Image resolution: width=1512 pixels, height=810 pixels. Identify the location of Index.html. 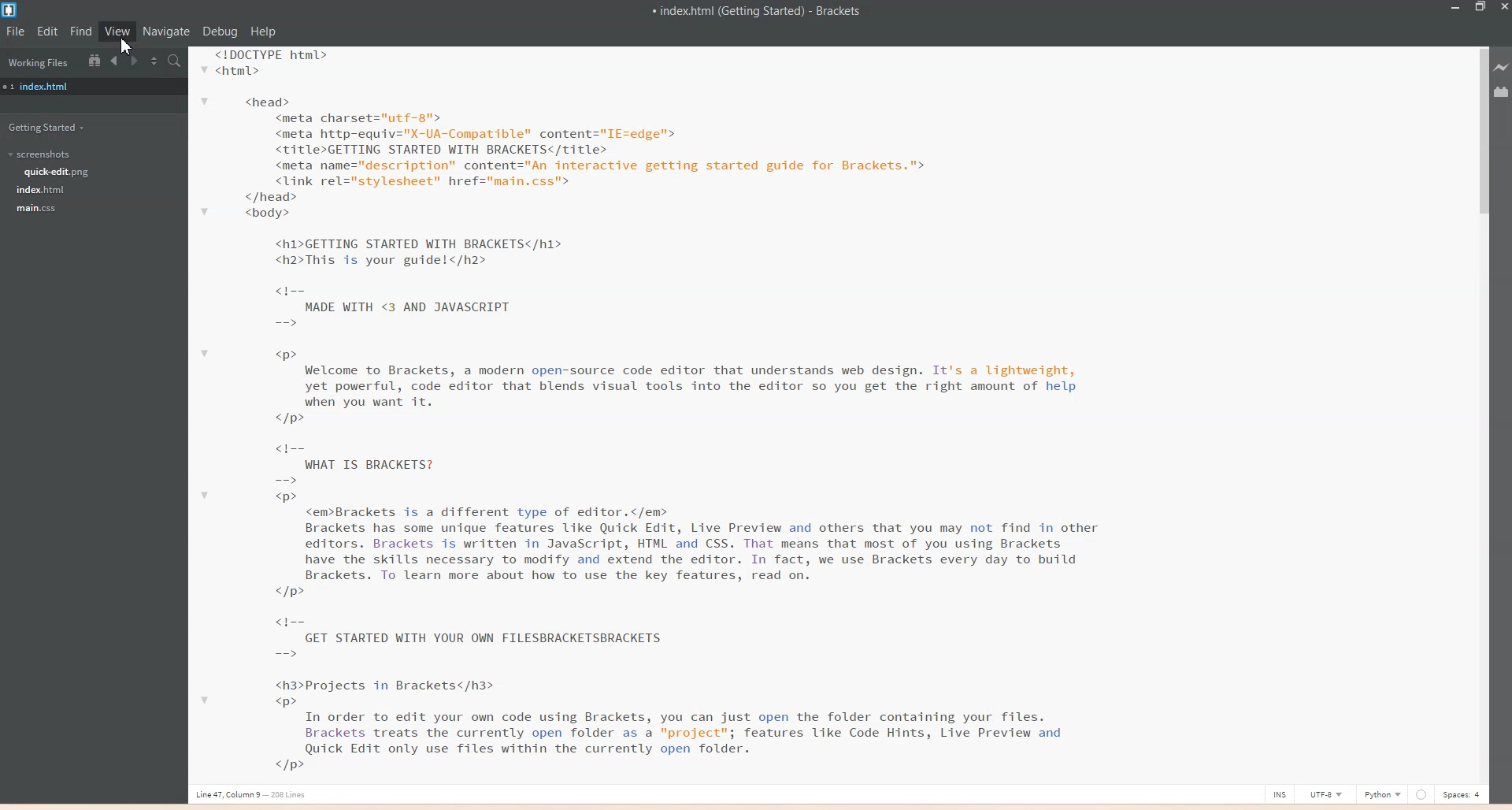
(43, 190).